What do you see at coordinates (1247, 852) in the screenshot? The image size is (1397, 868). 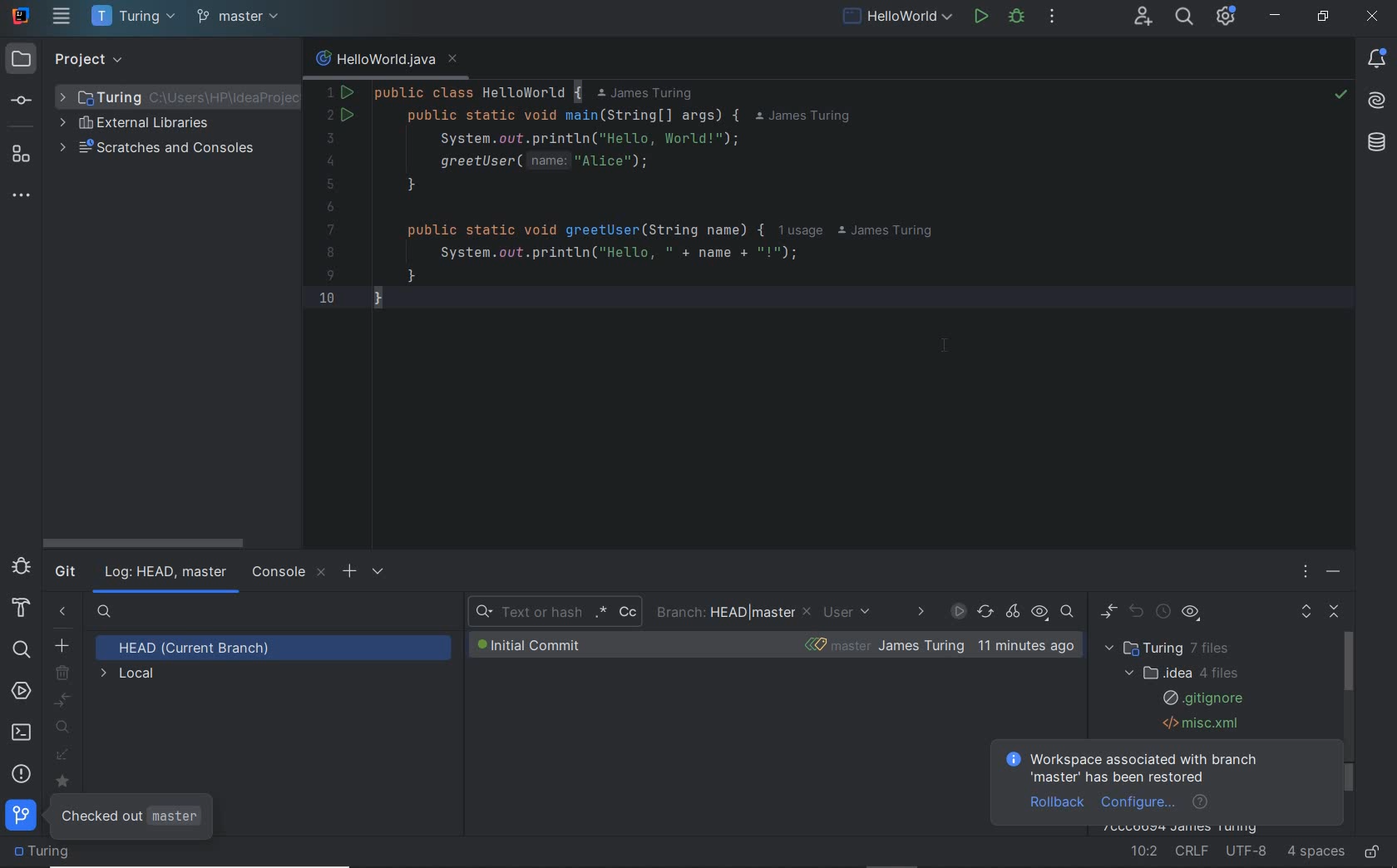 I see `file encoding` at bounding box center [1247, 852].